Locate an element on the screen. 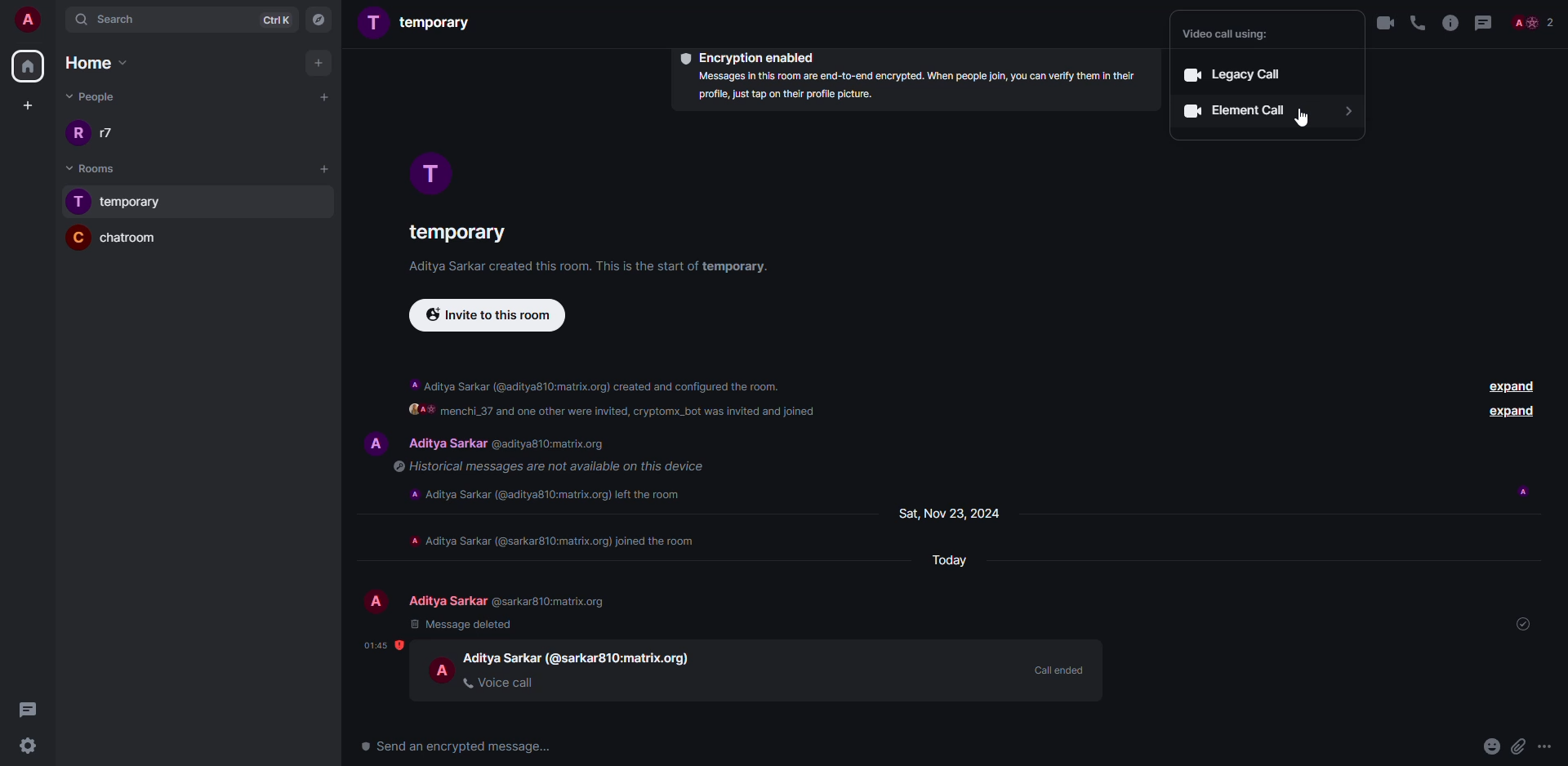 The width and height of the screenshot is (1568, 766). home is located at coordinates (91, 62).